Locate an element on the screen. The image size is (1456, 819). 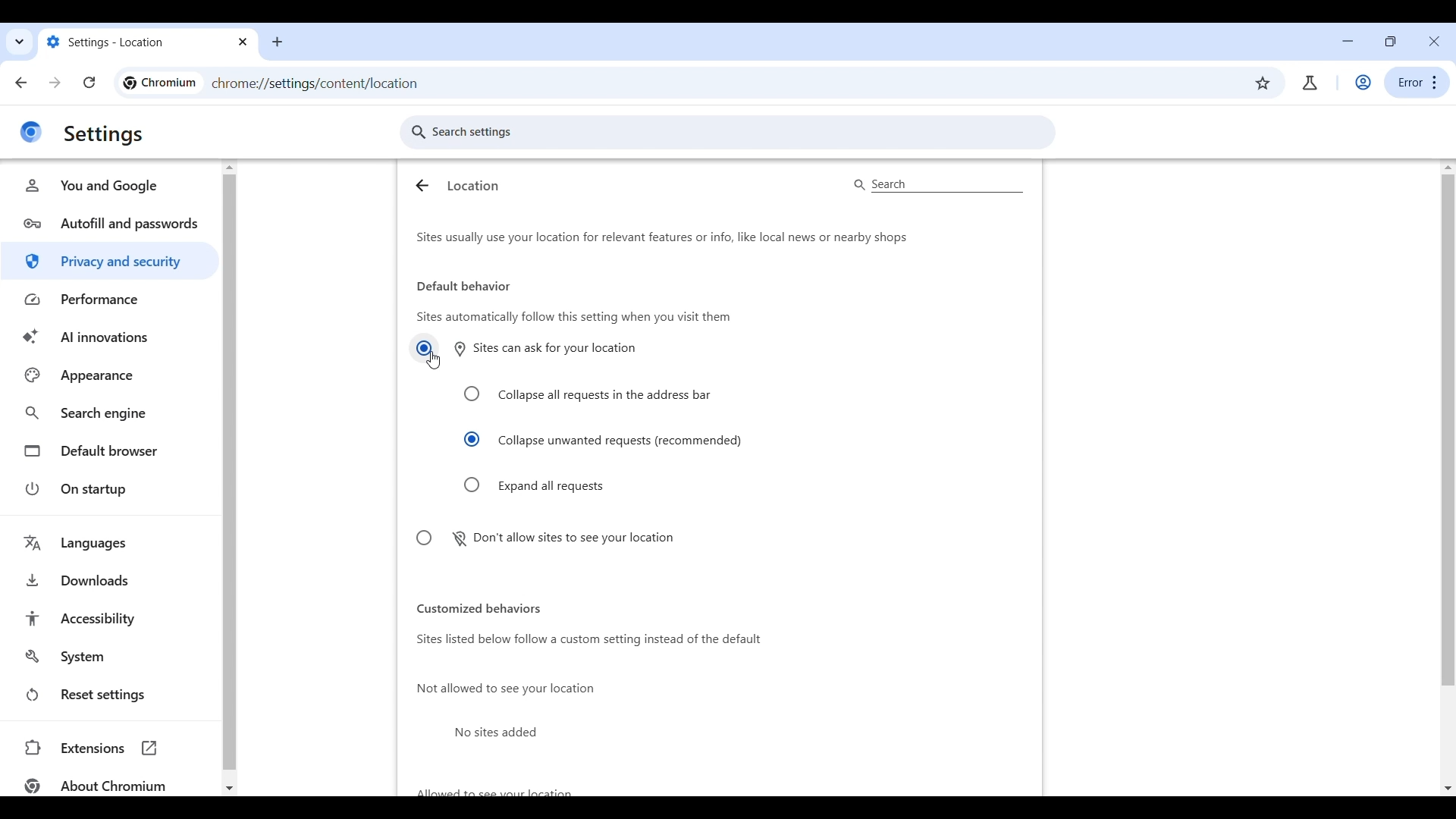
chrome logo is located at coordinates (30, 132).